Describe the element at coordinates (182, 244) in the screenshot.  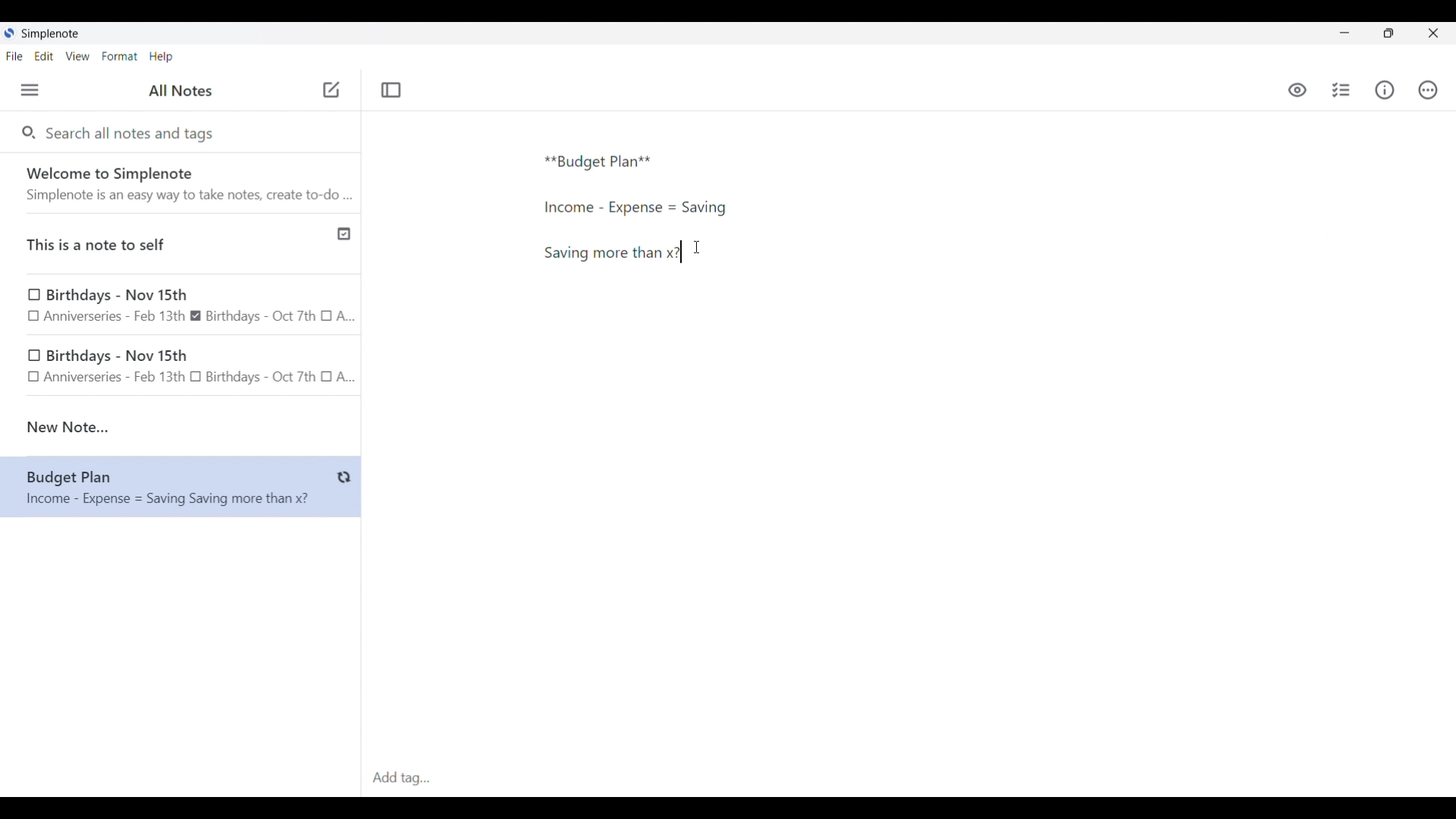
I see `Published note indicated by check icon` at that location.